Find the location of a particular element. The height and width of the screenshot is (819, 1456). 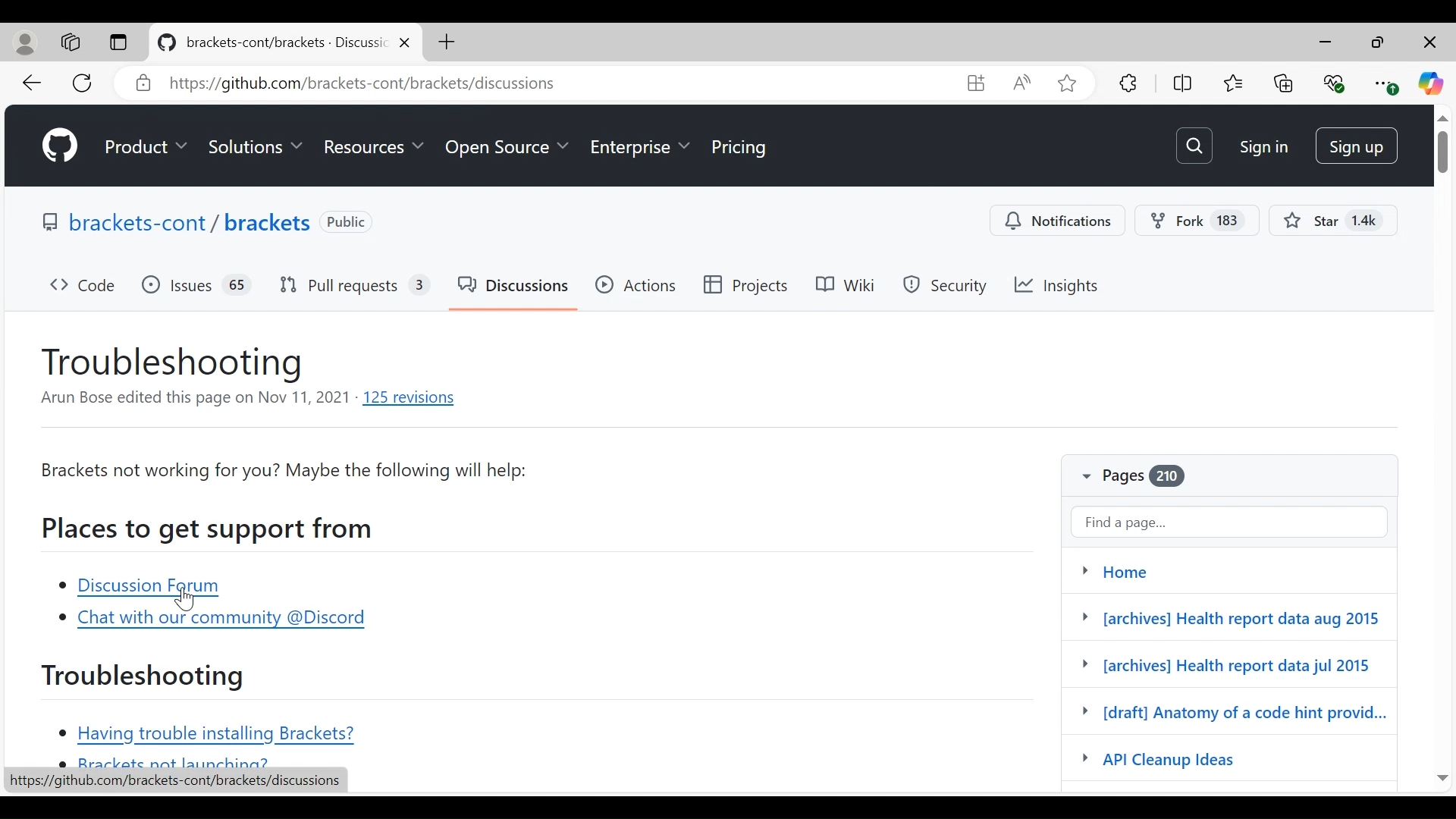

Favorites is located at coordinates (1234, 81).